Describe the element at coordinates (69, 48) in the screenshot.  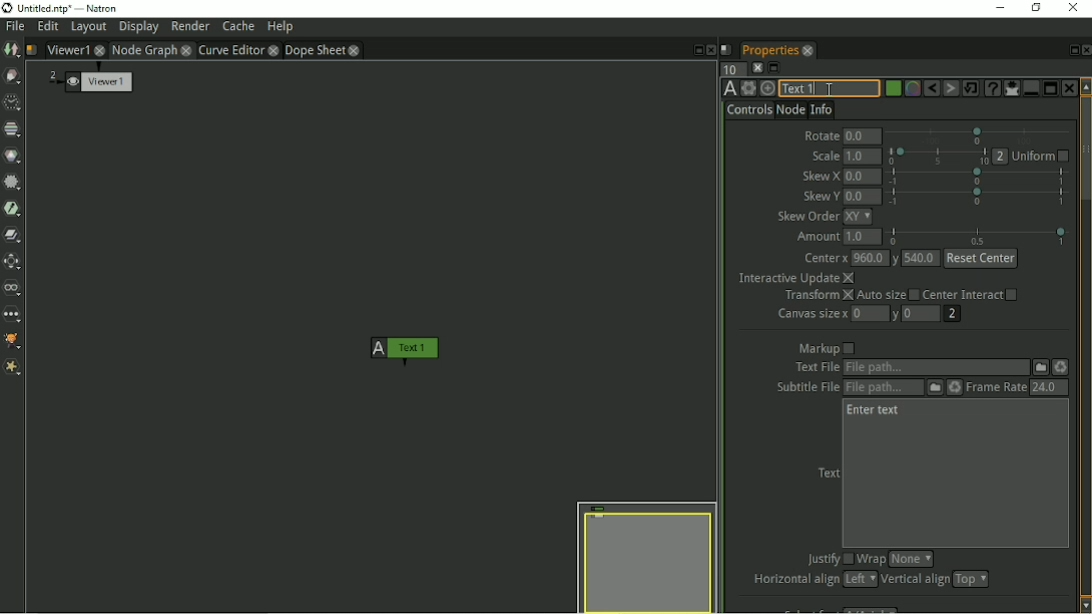
I see `Viewer1` at that location.